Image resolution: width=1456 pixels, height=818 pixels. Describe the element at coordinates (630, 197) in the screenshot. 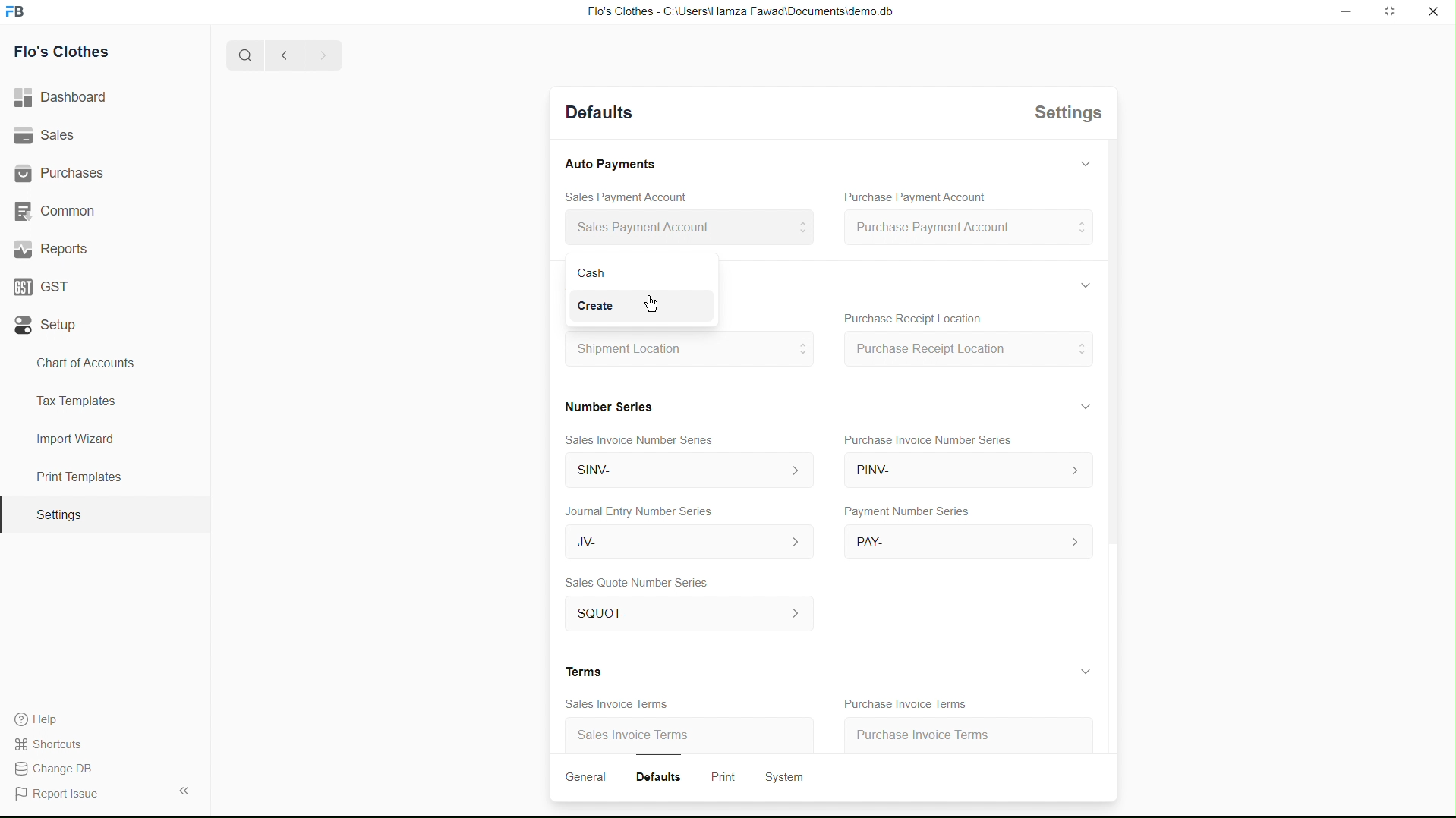

I see `Sales Payment Account` at that location.